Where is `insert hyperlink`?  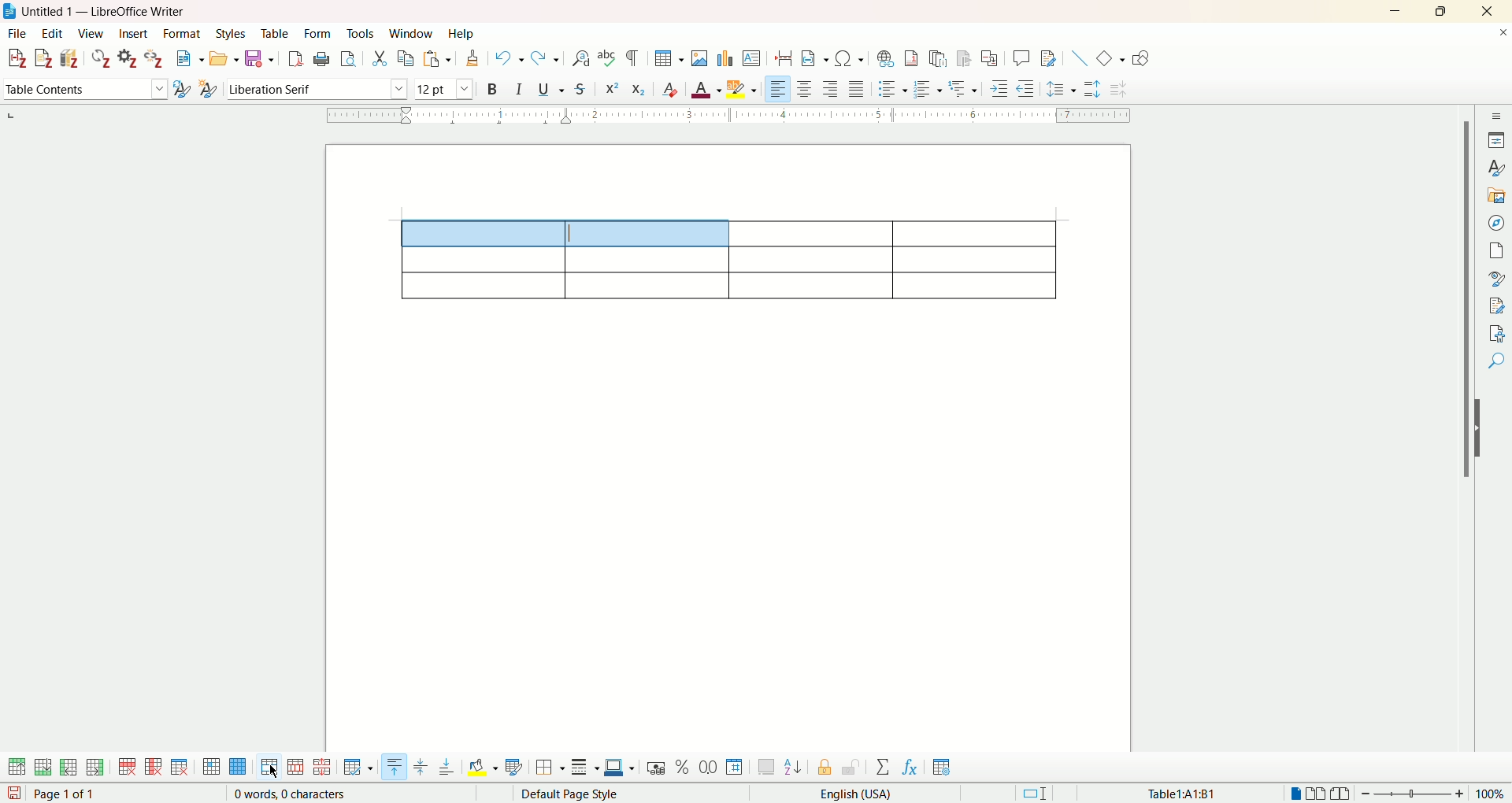
insert hyperlink is located at coordinates (884, 60).